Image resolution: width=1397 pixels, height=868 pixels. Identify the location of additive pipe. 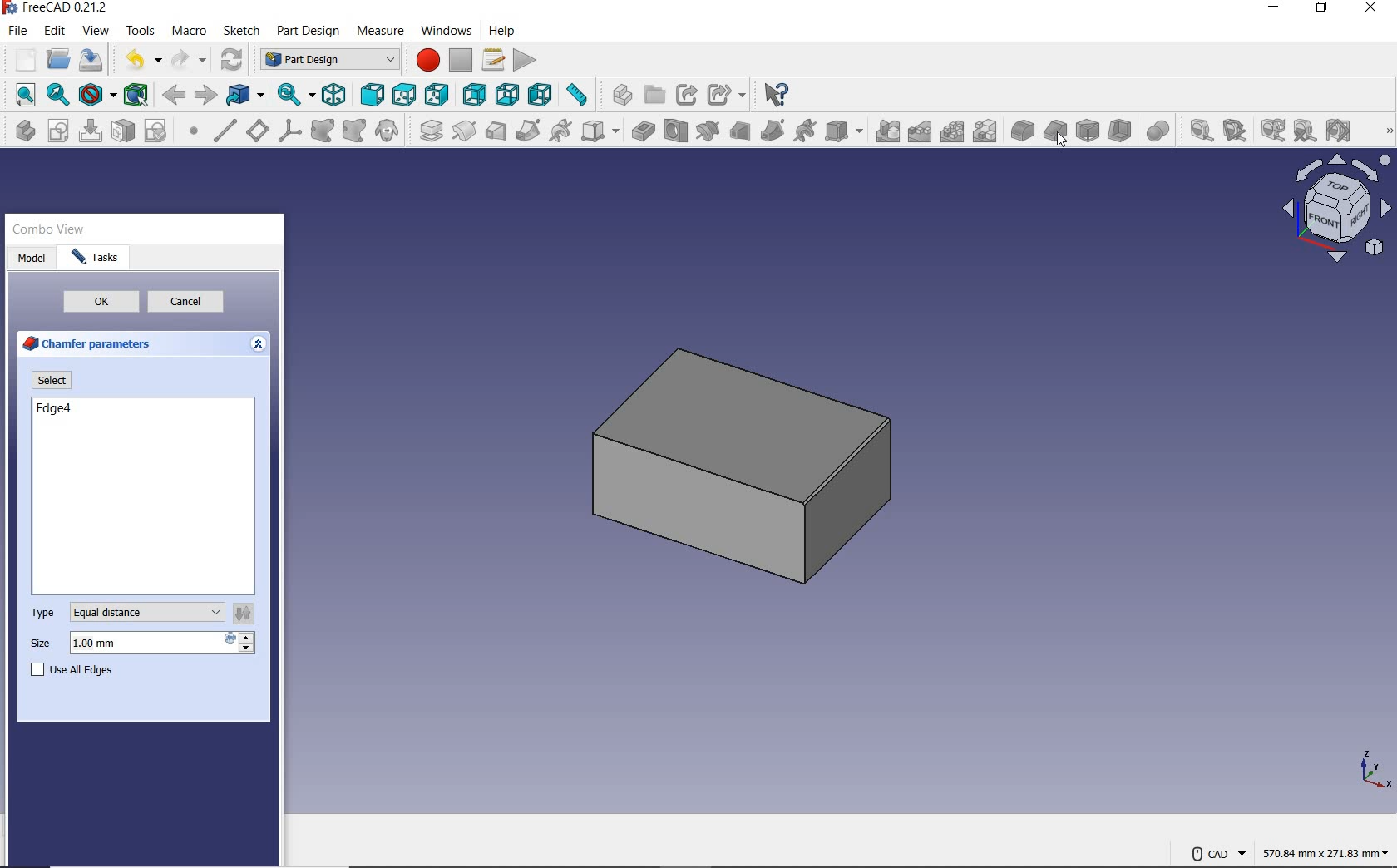
(529, 131).